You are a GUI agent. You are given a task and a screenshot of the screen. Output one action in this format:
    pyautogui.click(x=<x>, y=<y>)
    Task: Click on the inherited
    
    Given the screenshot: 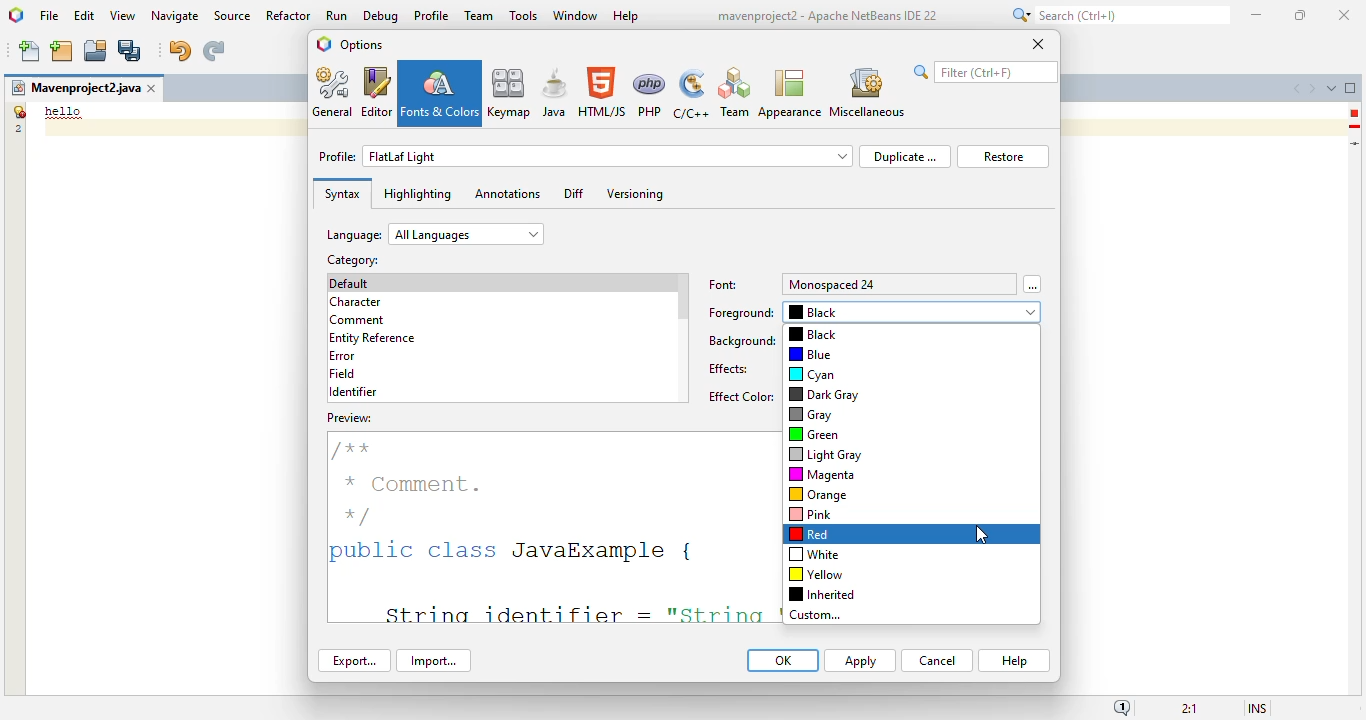 What is the action you would take?
    pyautogui.click(x=823, y=594)
    